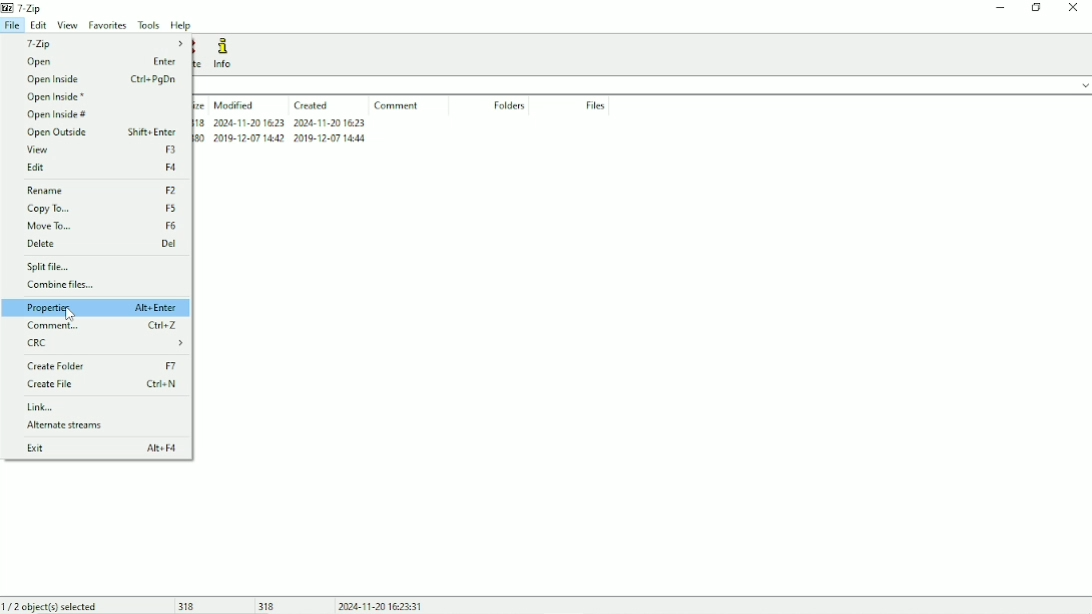  Describe the element at coordinates (59, 97) in the screenshot. I see `Open Inside *` at that location.